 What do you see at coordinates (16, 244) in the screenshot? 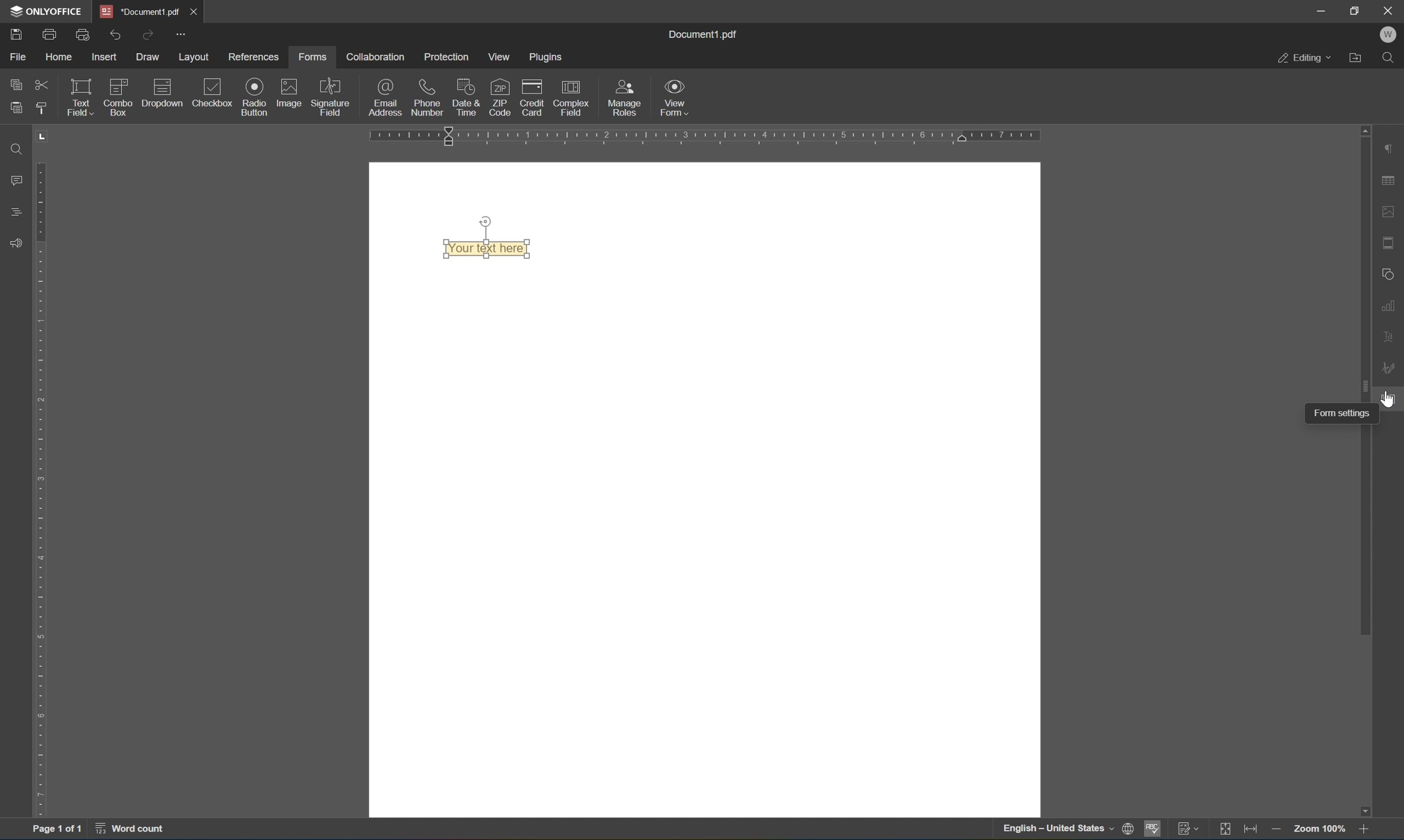
I see `feedback and support` at bounding box center [16, 244].